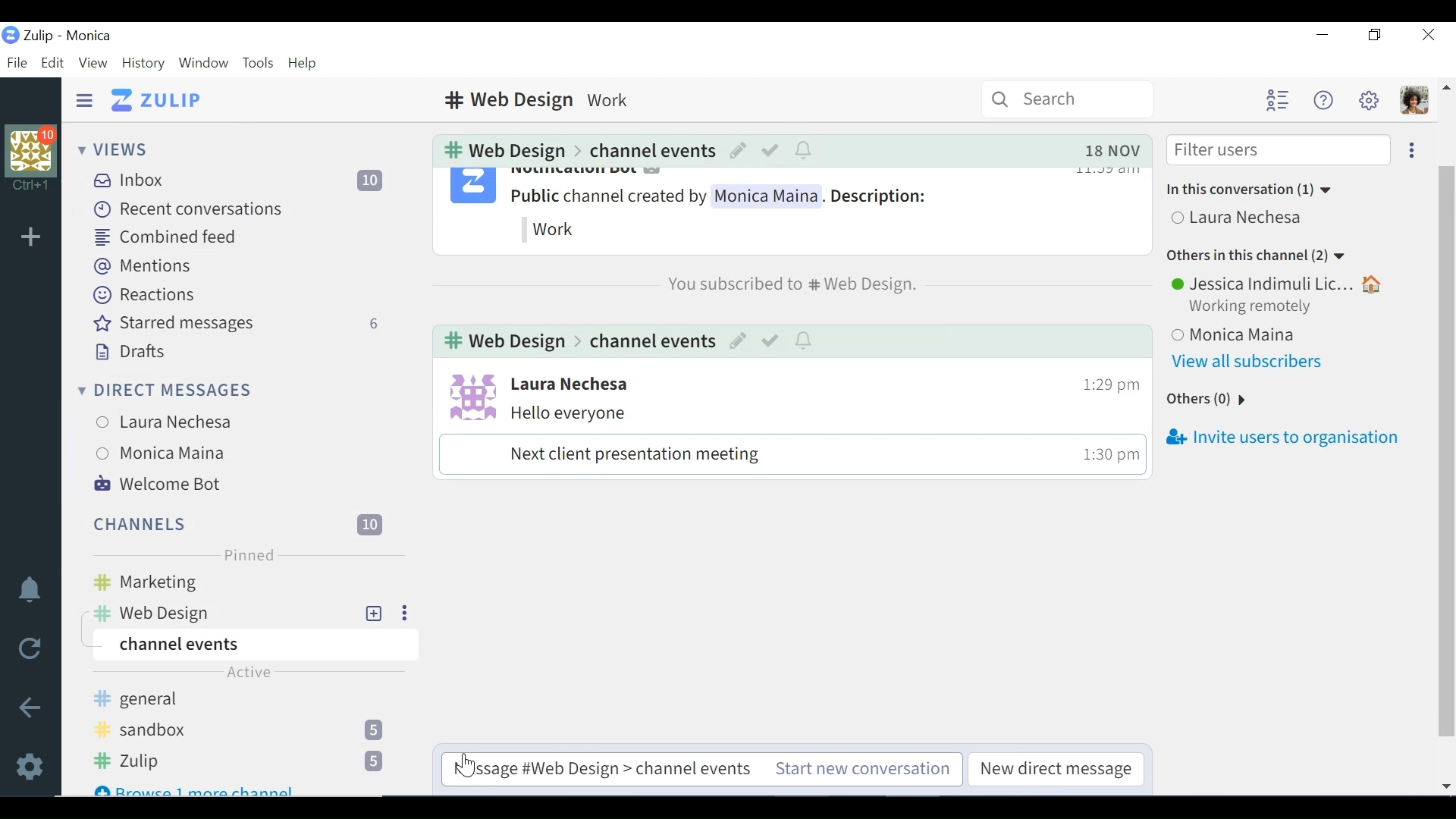  Describe the element at coordinates (736, 149) in the screenshot. I see `Edit` at that location.